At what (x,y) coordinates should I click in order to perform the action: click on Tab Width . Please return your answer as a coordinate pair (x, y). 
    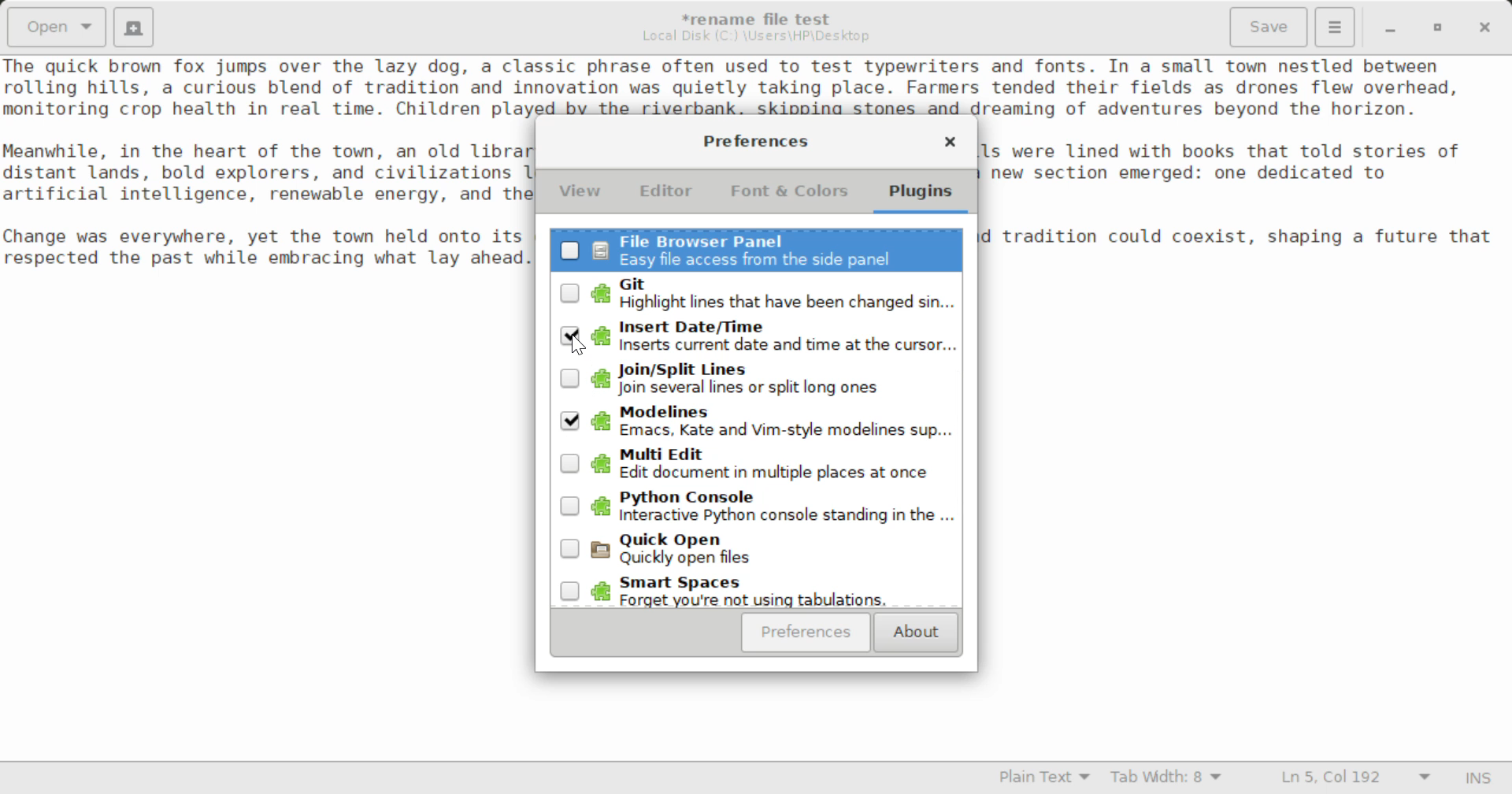
    Looking at the image, I should click on (1169, 779).